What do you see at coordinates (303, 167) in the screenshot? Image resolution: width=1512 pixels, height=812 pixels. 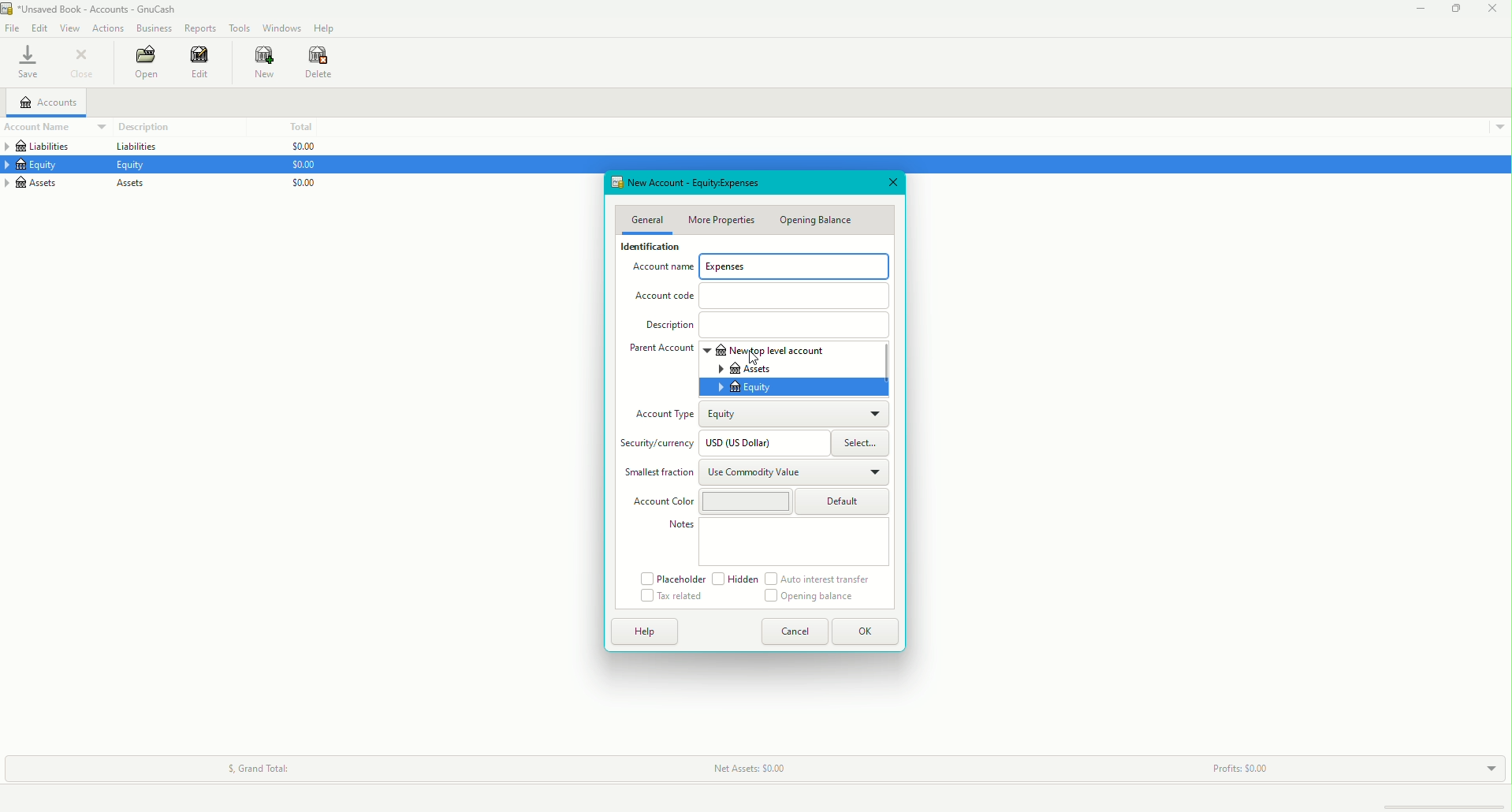 I see `$0` at bounding box center [303, 167].